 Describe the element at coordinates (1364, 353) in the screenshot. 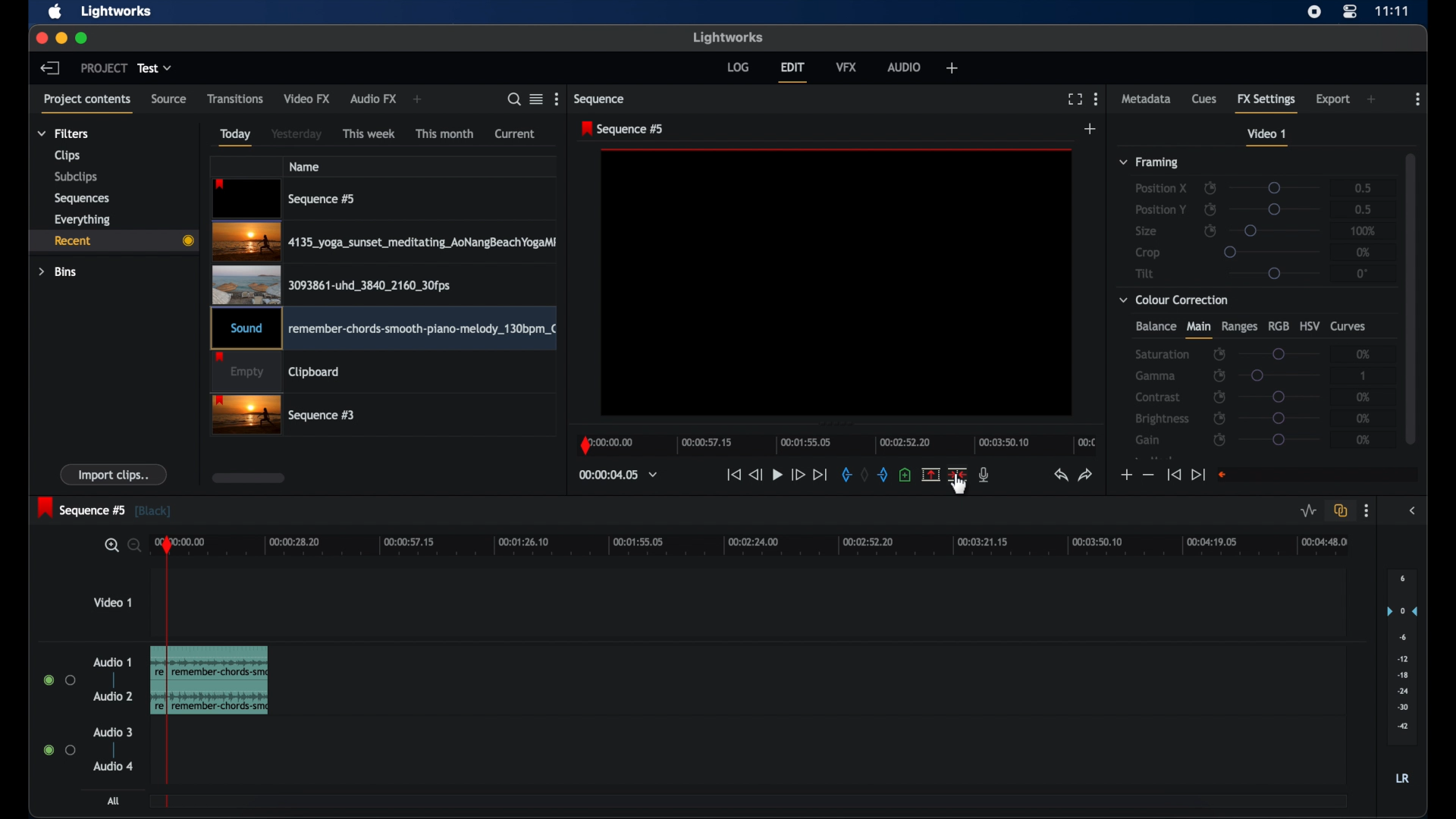

I see `0%` at that location.